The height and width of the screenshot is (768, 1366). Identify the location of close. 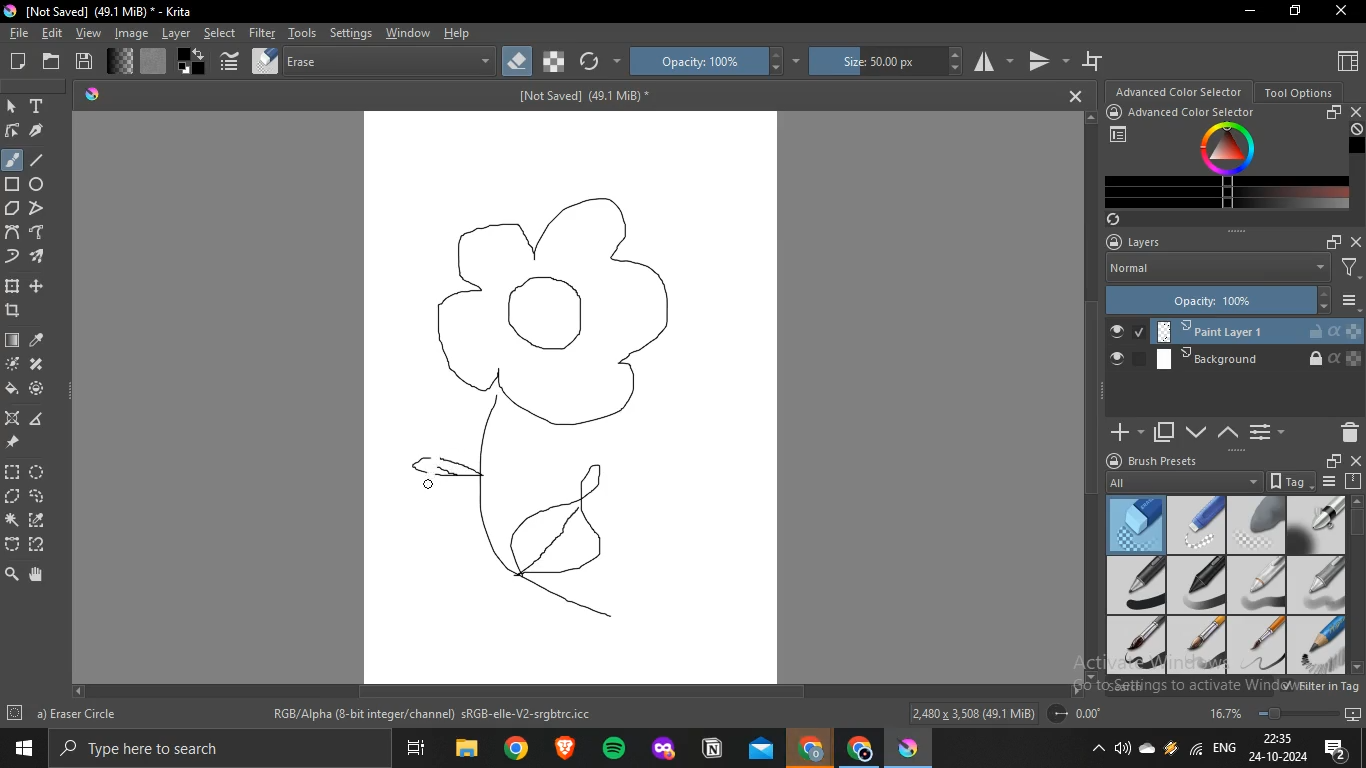
(1357, 461).